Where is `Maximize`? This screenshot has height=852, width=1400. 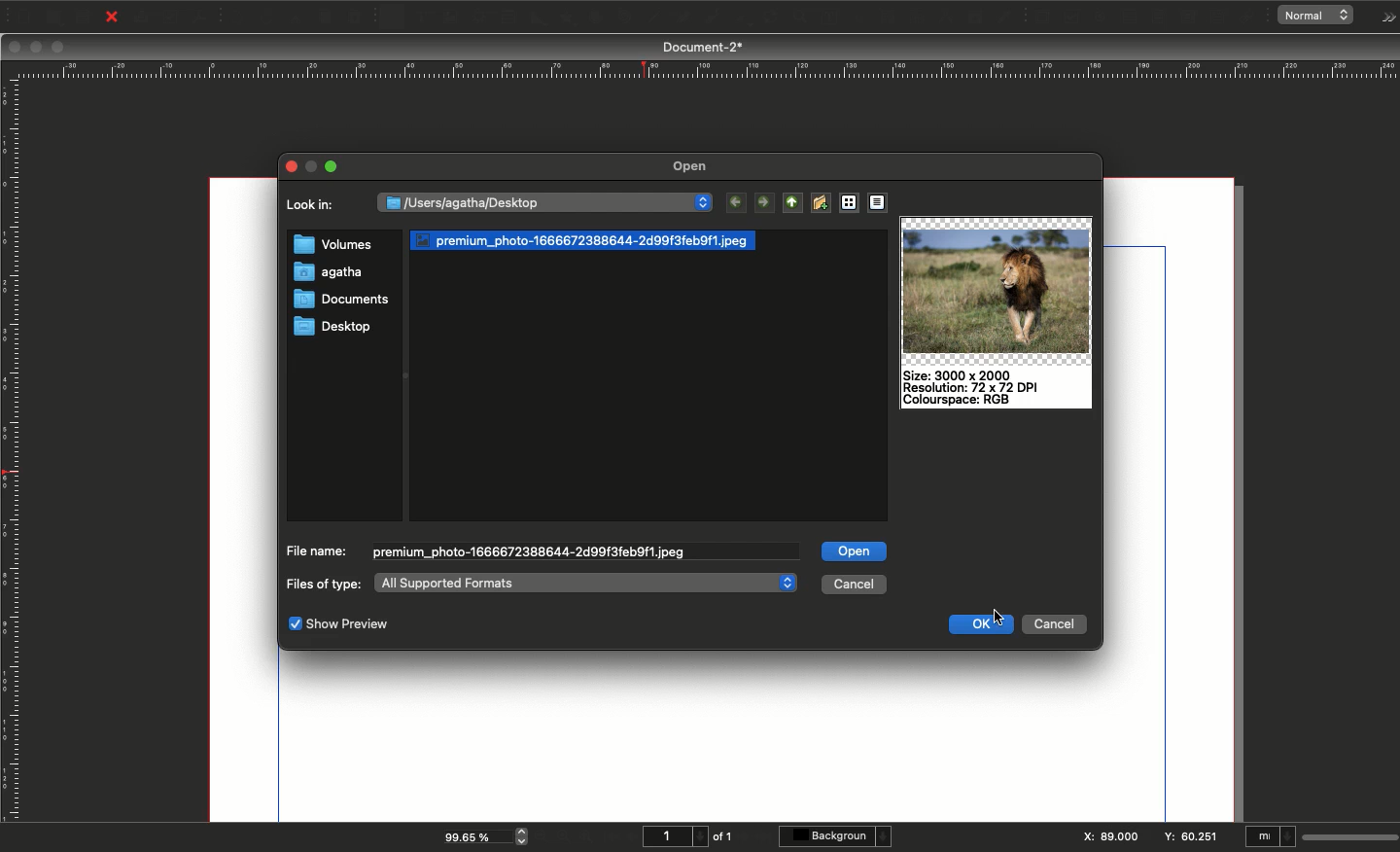 Maximize is located at coordinates (59, 49).